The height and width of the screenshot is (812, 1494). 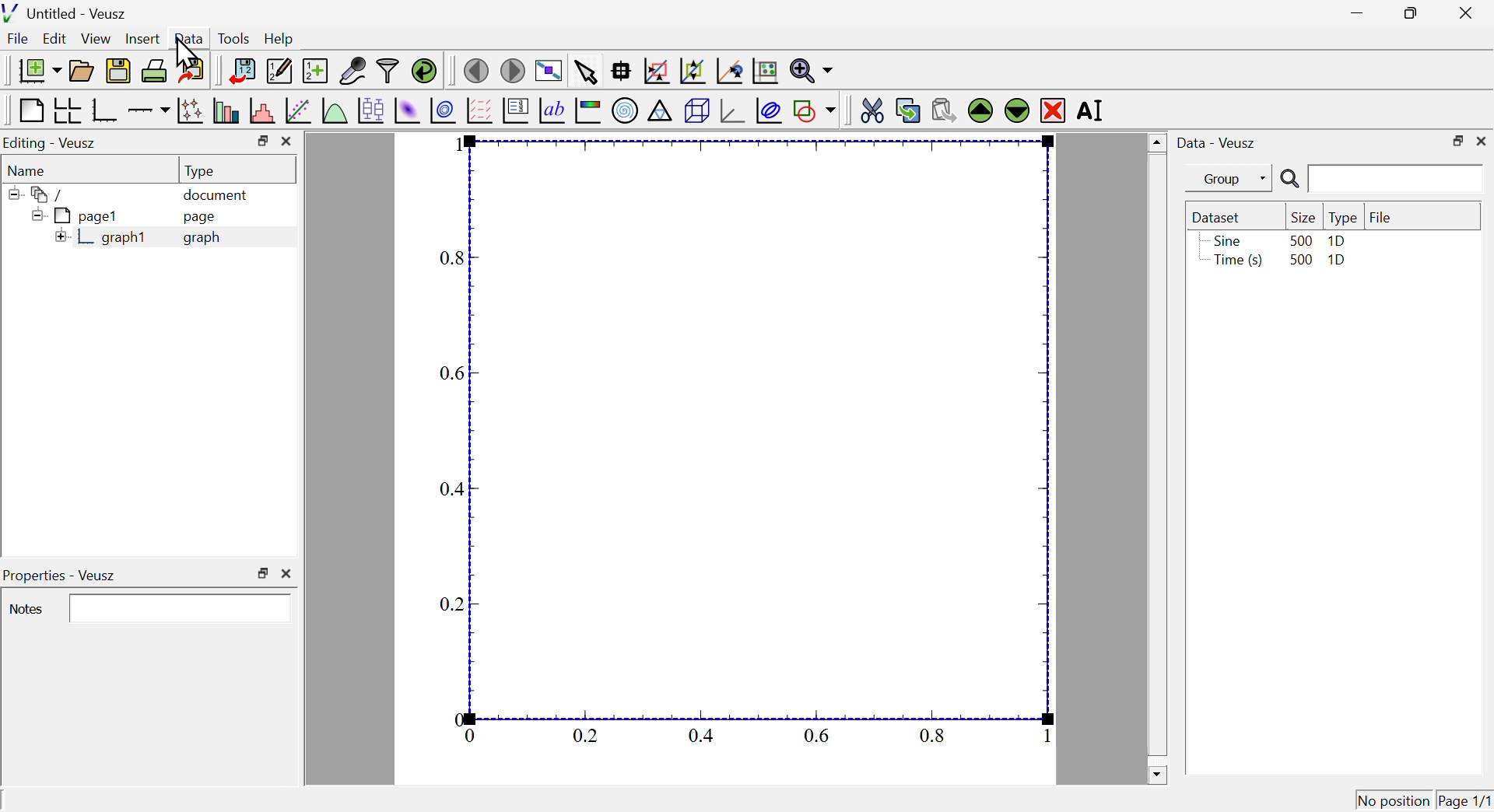 I want to click on remove the selected widget, so click(x=1053, y=110).